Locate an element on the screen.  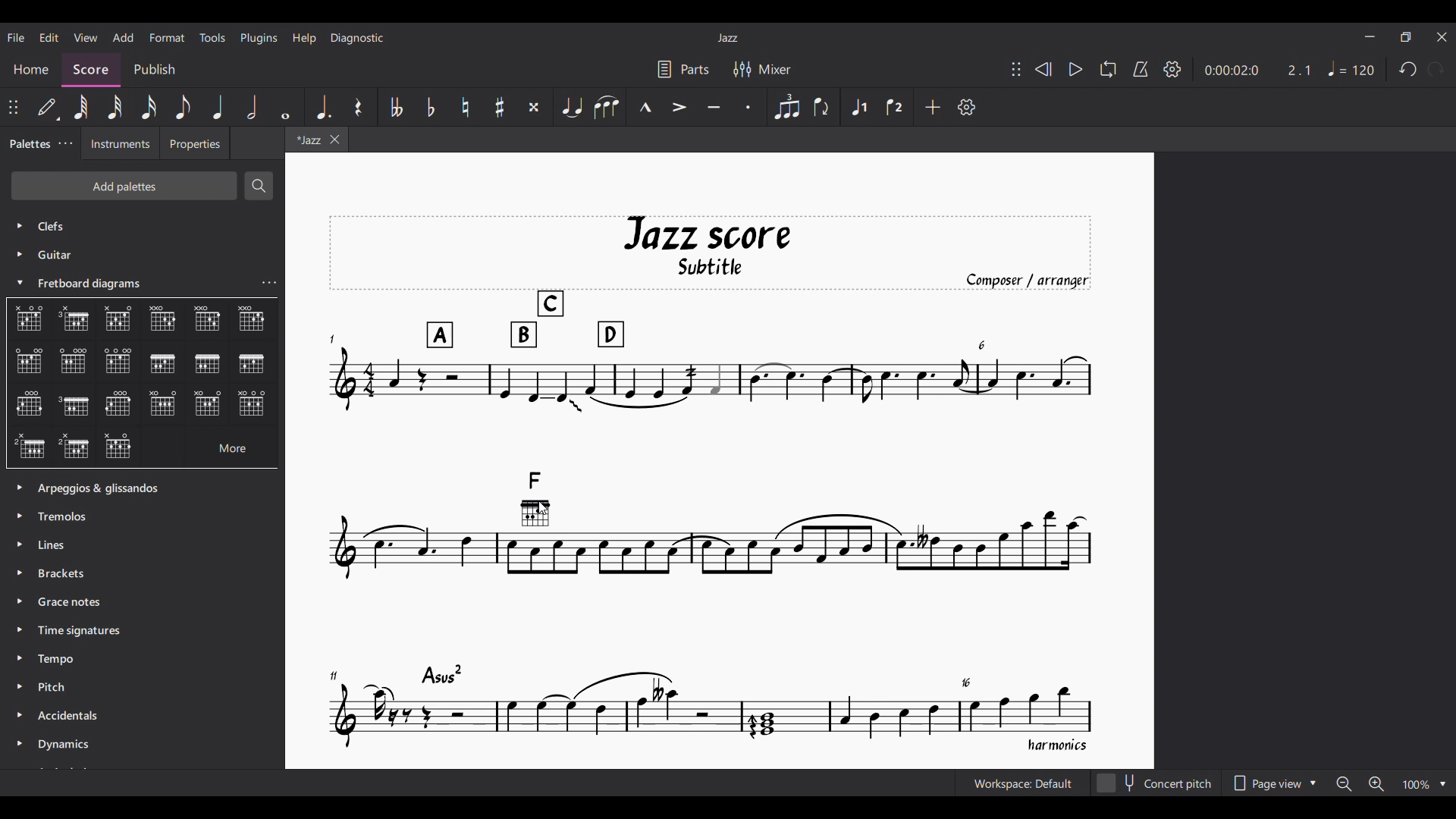
Change position is located at coordinates (13, 107).